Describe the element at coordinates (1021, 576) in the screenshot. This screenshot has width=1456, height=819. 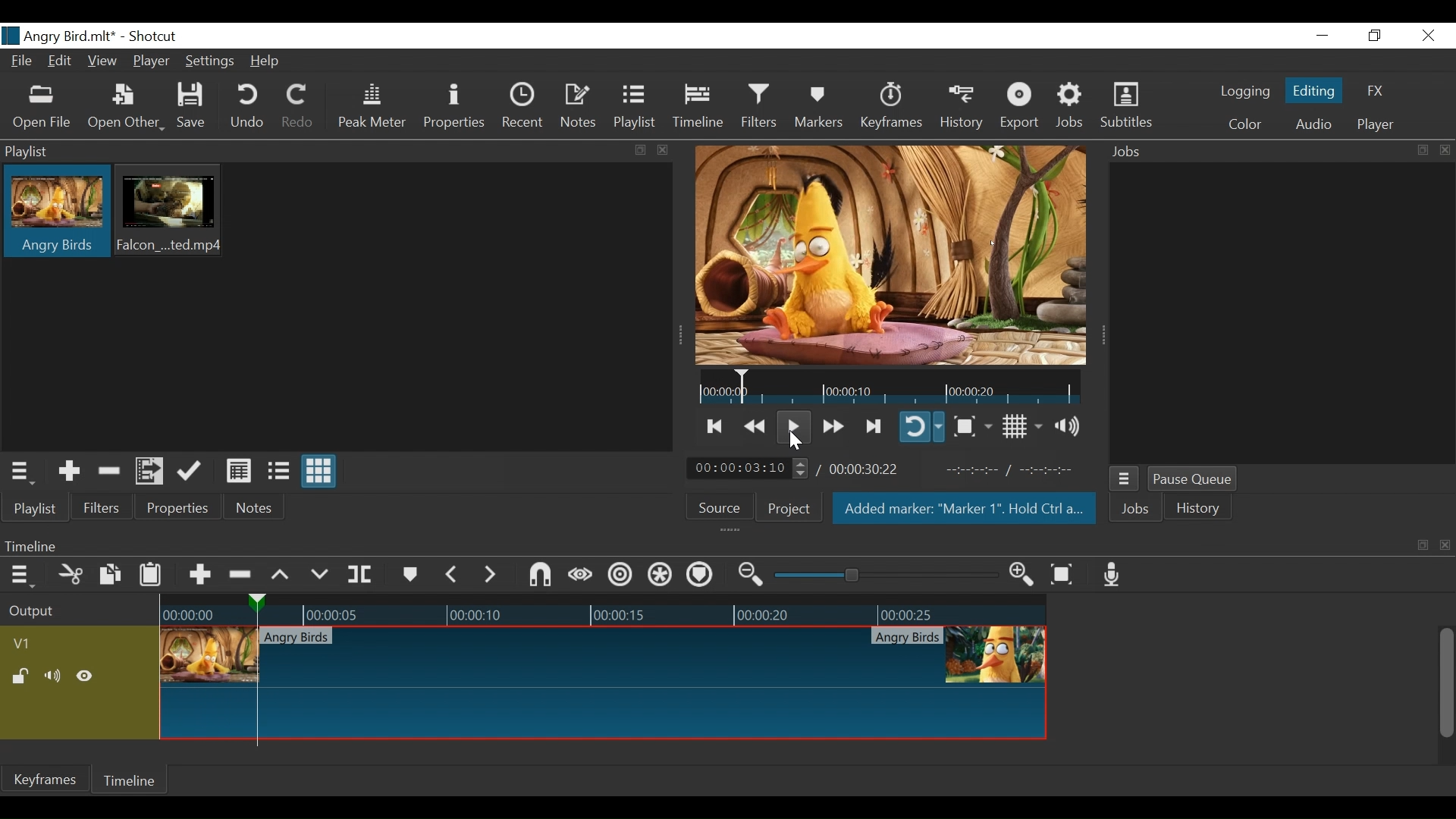
I see `Zoom timeline in` at that location.